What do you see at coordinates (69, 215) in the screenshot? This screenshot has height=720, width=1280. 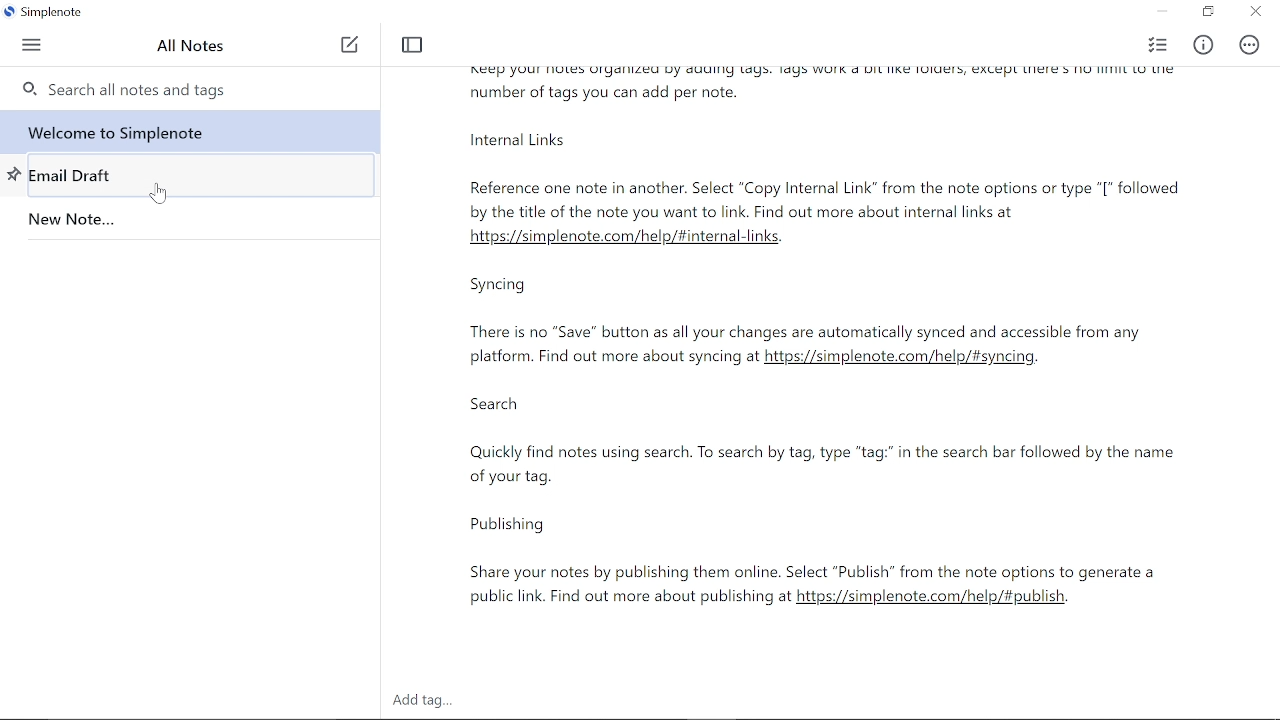 I see `Note titled "New Note..."` at bounding box center [69, 215].